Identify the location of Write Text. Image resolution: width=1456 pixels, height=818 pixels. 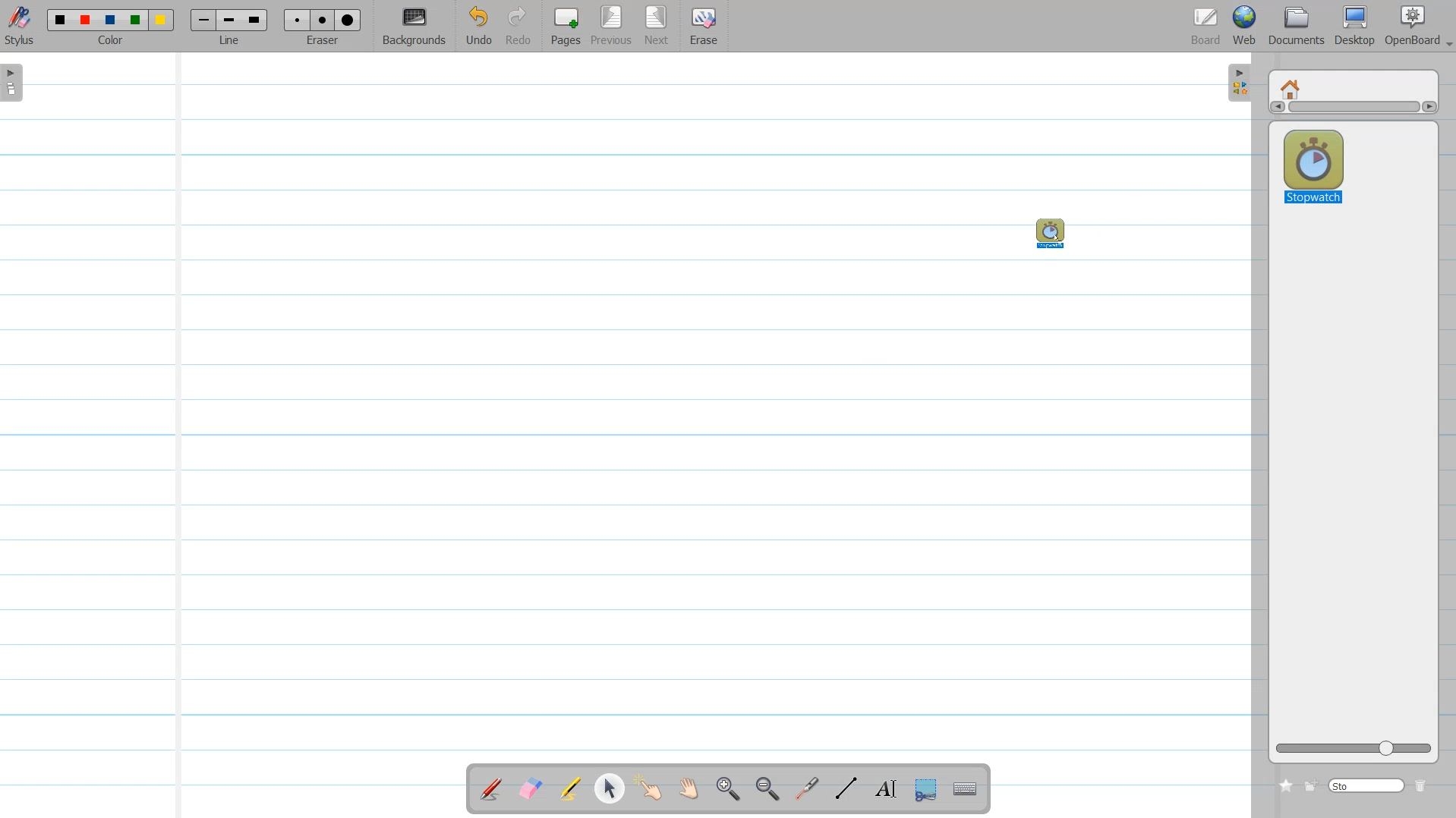
(884, 789).